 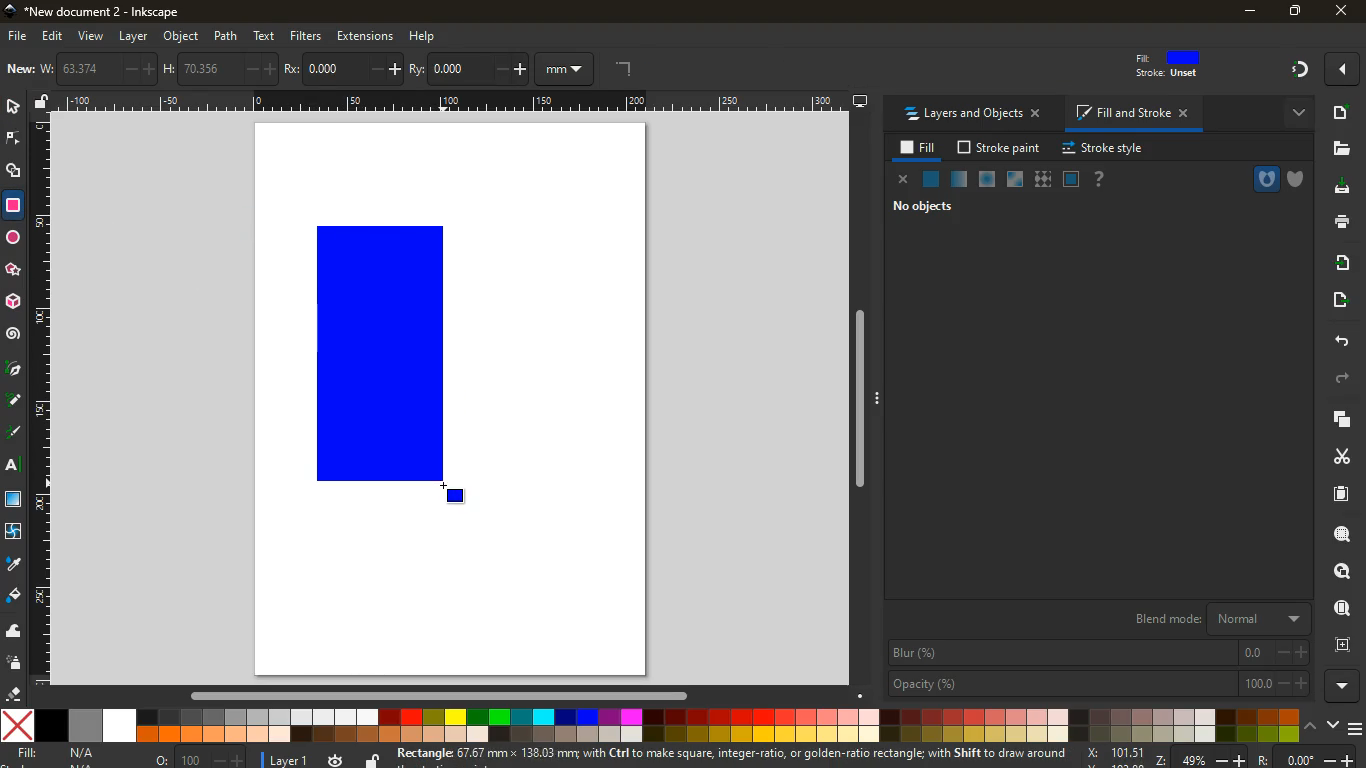 What do you see at coordinates (14, 594) in the screenshot?
I see `fill` at bounding box center [14, 594].